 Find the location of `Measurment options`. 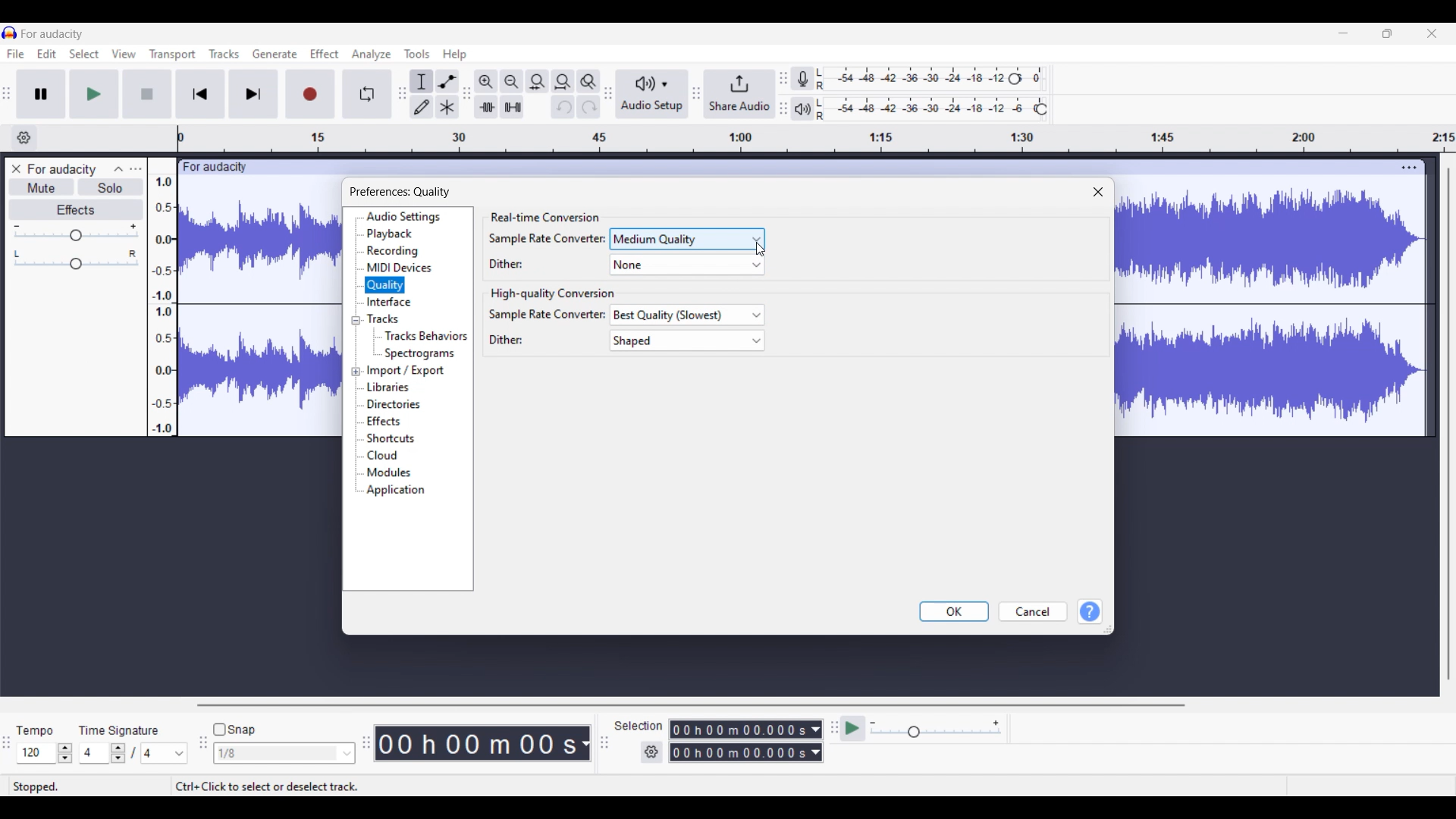

Measurment options is located at coordinates (746, 741).